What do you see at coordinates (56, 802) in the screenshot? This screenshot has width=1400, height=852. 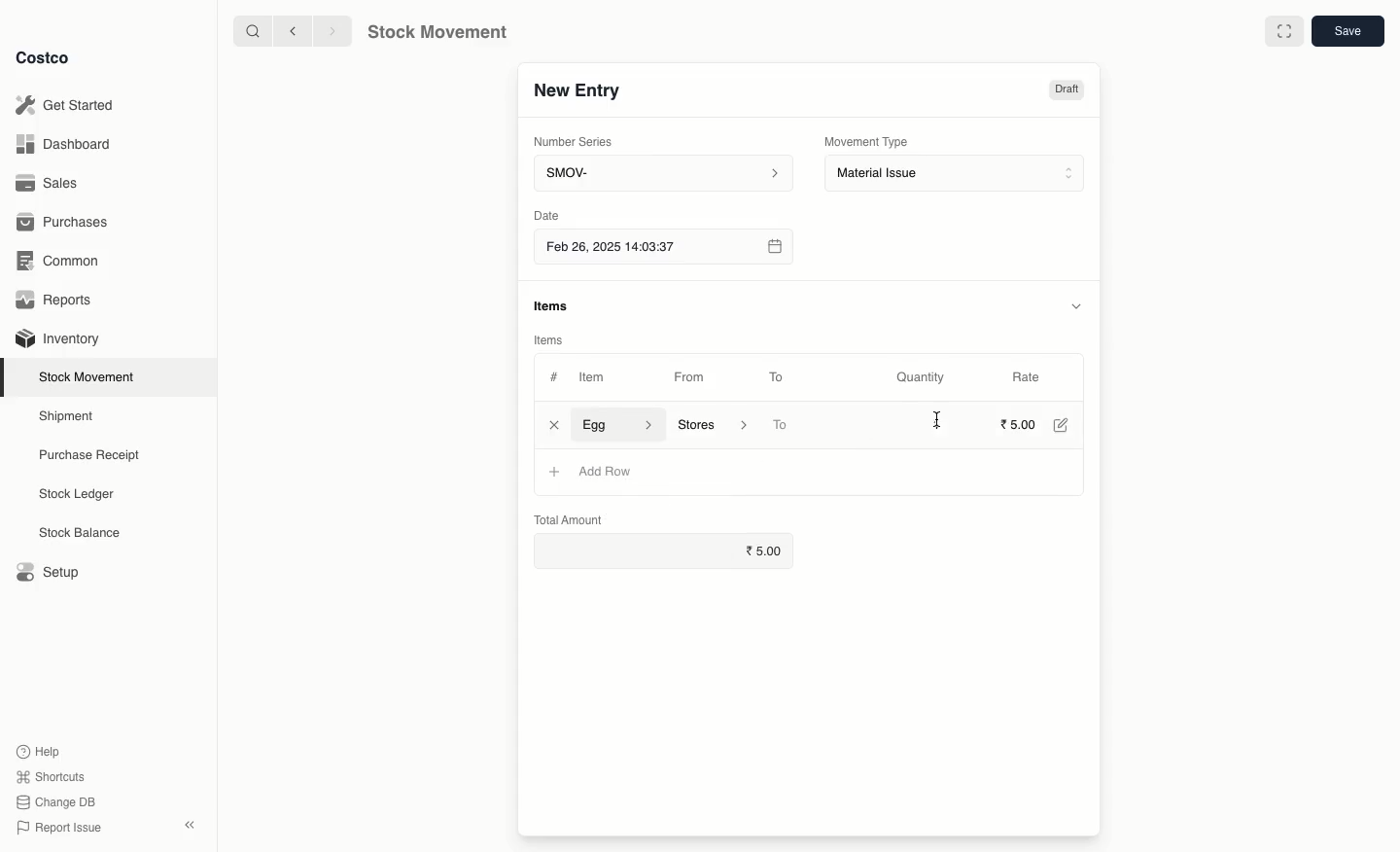 I see `Change DB` at bounding box center [56, 802].